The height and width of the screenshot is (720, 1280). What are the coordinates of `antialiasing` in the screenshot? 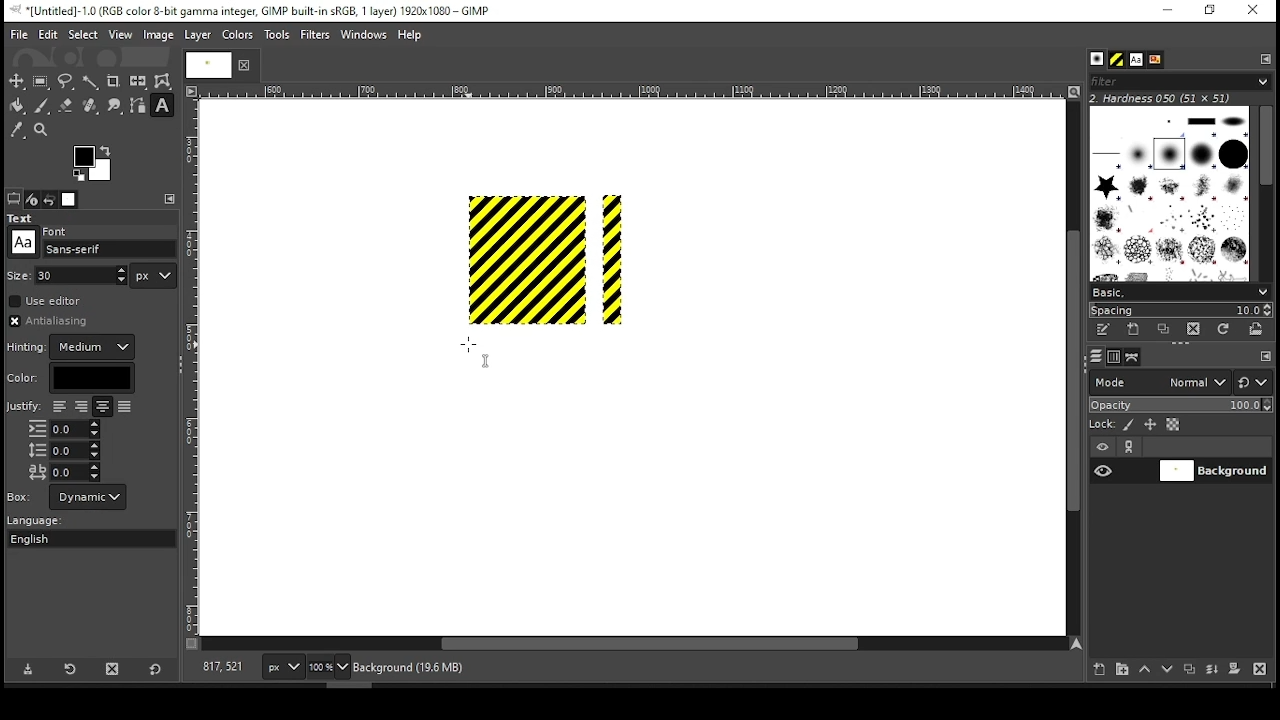 It's located at (54, 321).